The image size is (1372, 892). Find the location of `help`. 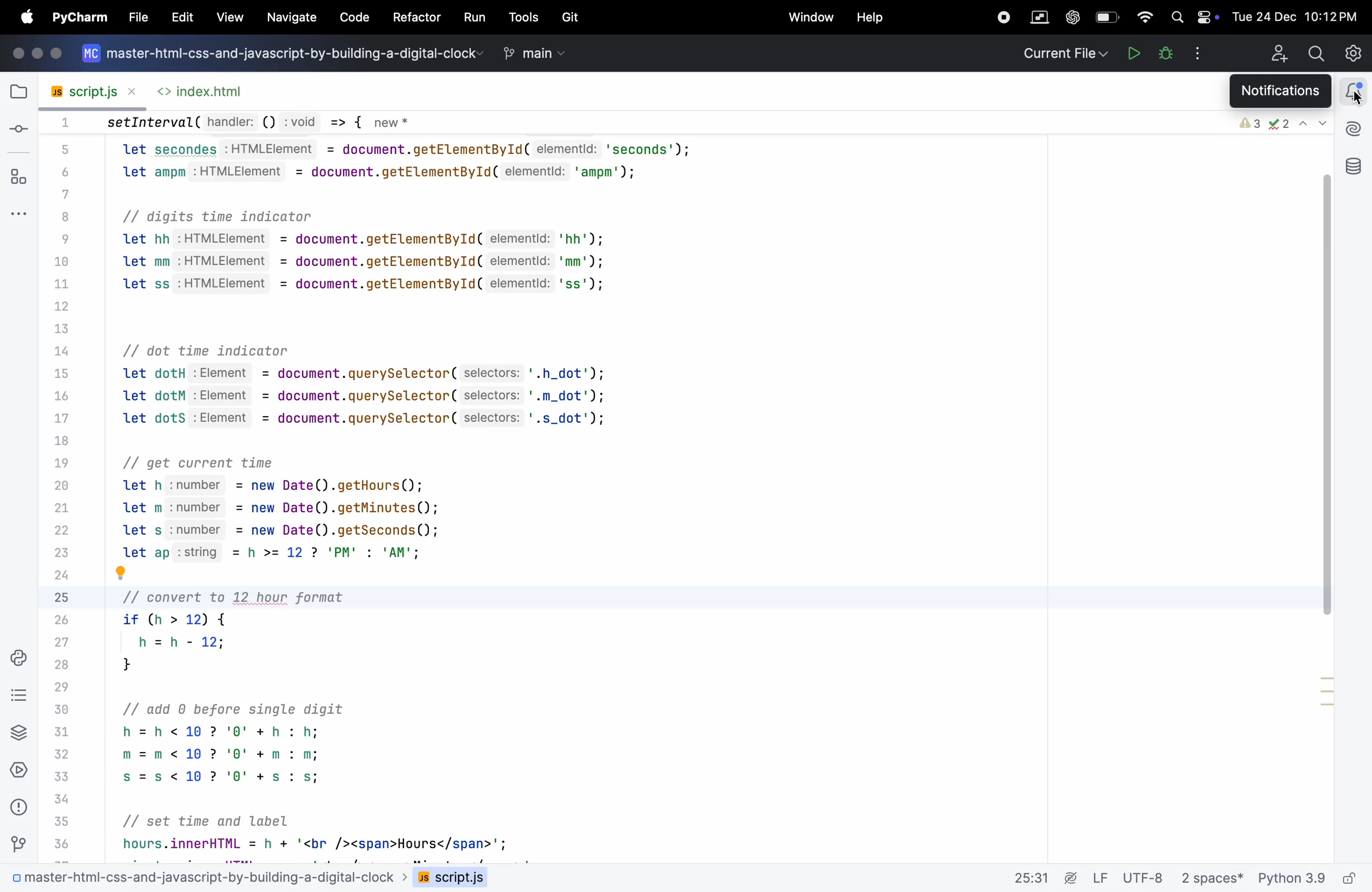

help is located at coordinates (868, 18).